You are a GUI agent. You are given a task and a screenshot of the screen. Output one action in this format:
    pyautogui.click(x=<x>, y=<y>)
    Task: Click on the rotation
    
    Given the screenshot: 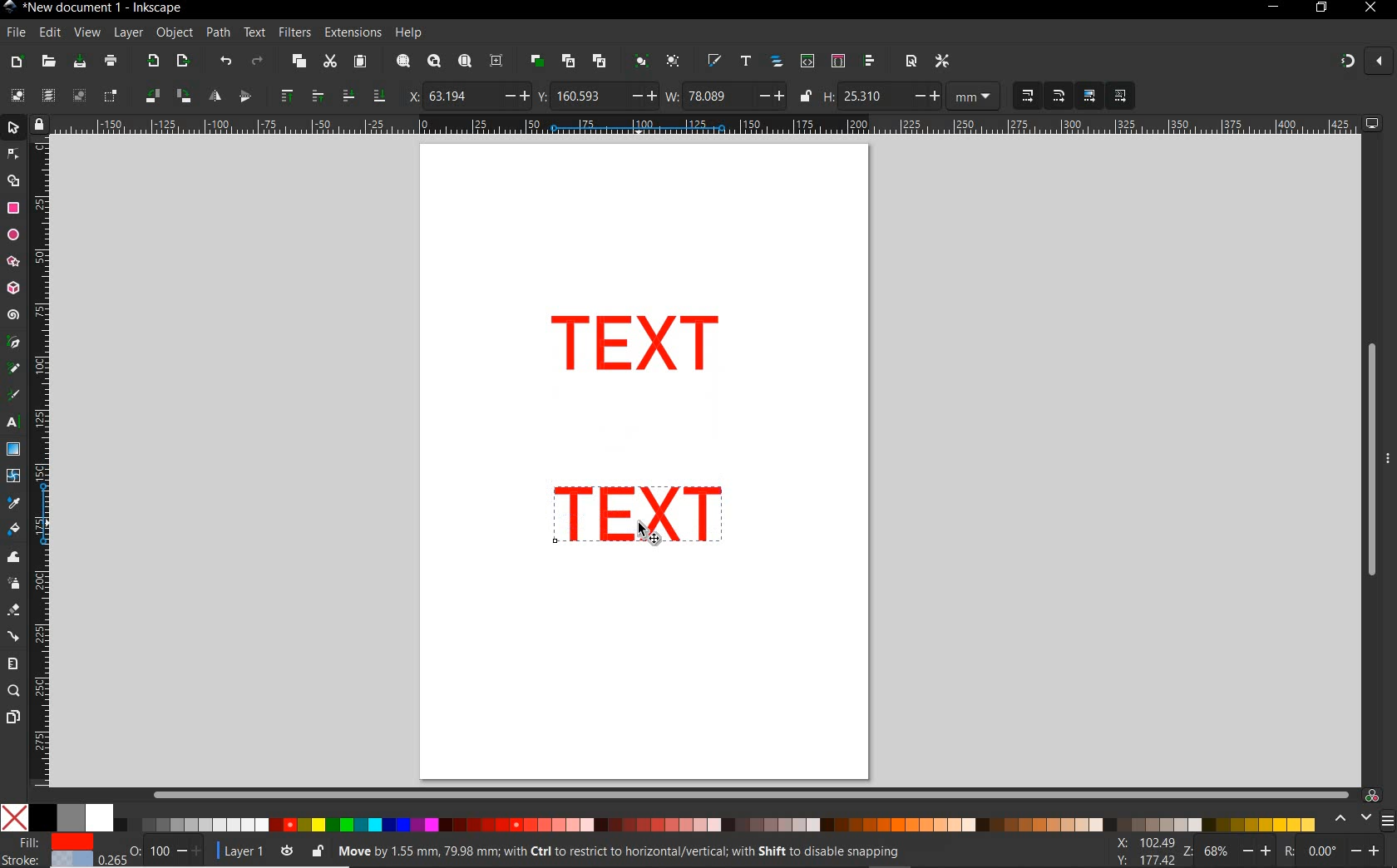 What is the action you would take?
    pyautogui.click(x=1334, y=850)
    